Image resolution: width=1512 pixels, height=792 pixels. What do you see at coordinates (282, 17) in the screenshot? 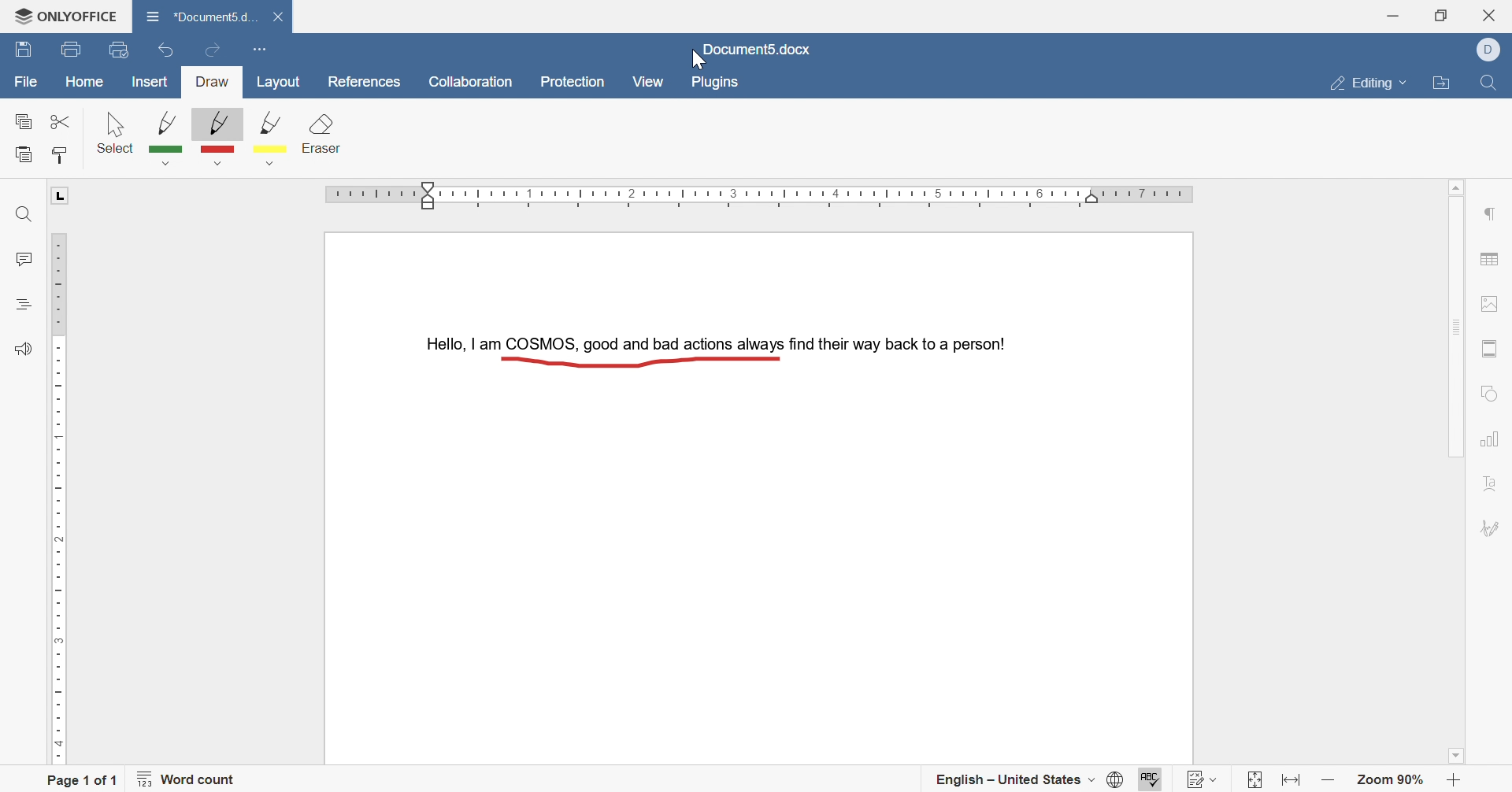
I see `close` at bounding box center [282, 17].